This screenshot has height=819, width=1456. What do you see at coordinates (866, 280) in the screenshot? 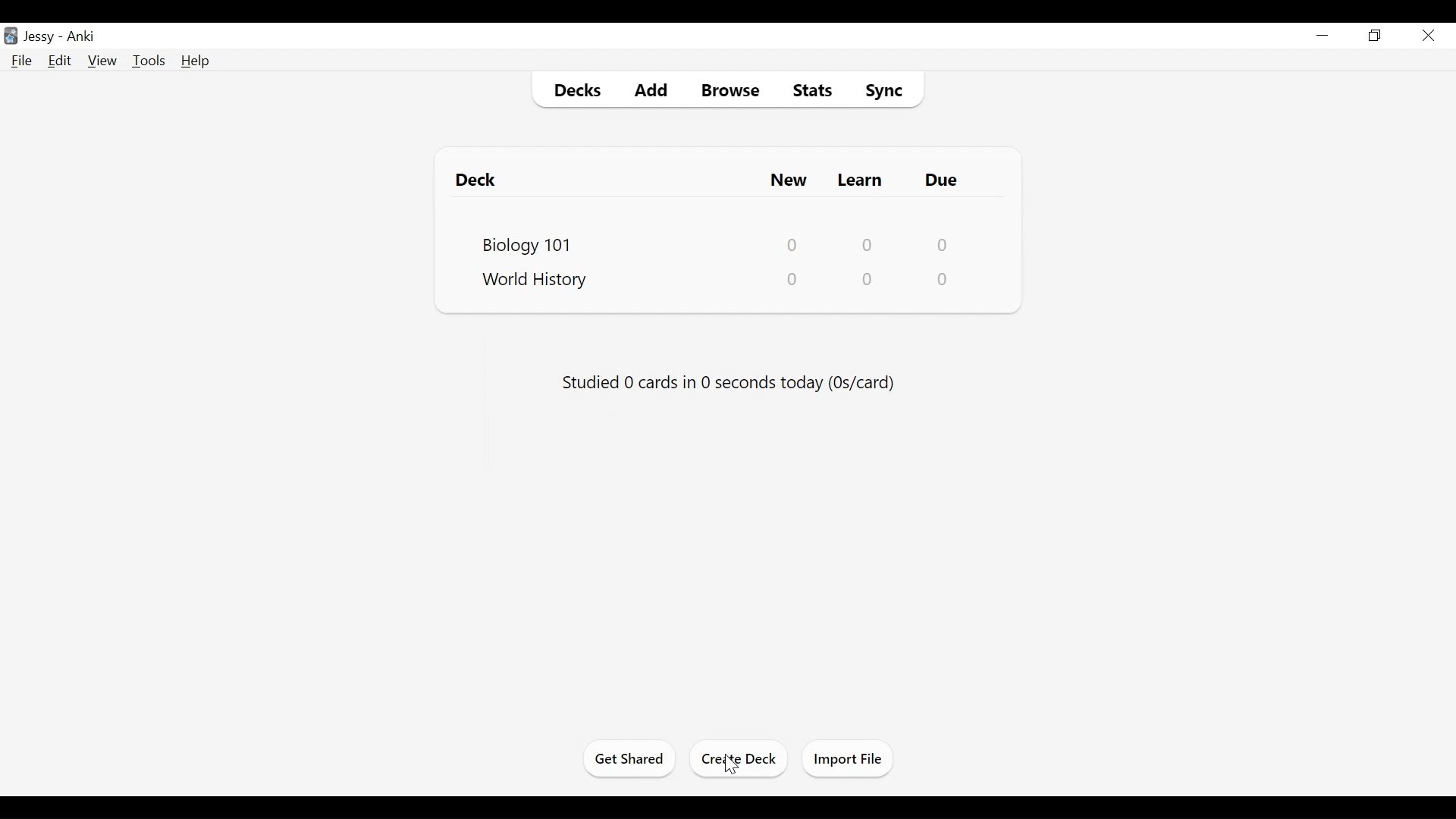
I see `Learn CardCount ` at bounding box center [866, 280].